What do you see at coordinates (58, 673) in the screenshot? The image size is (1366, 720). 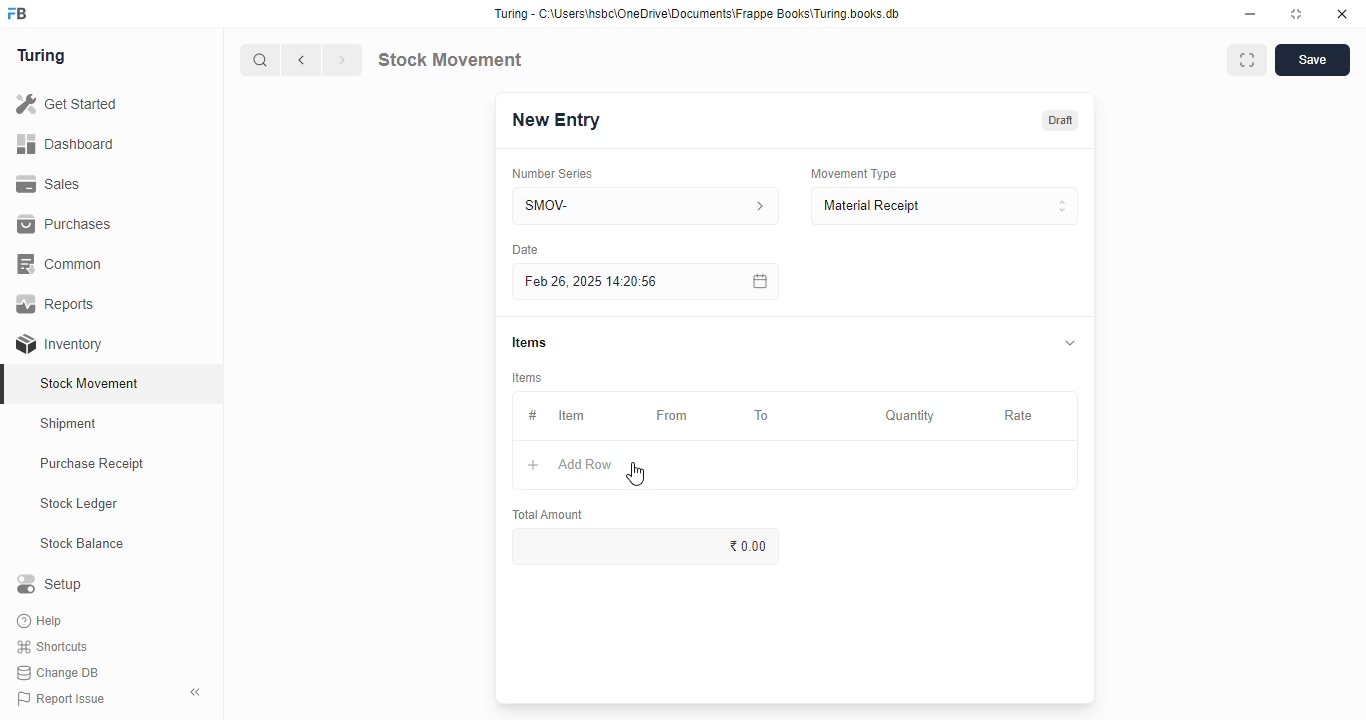 I see `change DB` at bounding box center [58, 673].